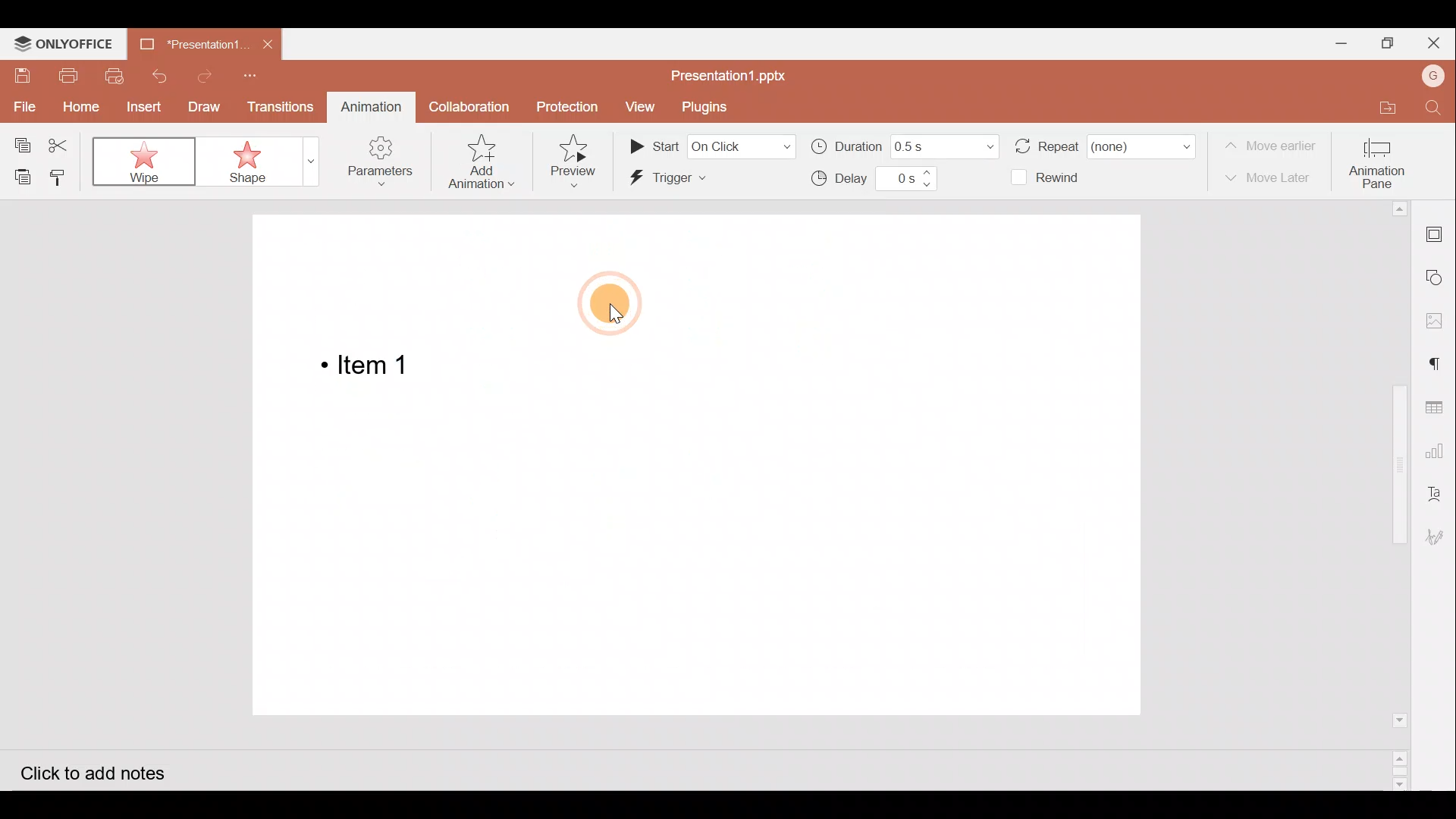 The width and height of the screenshot is (1456, 819). I want to click on Minimize, so click(1329, 42).